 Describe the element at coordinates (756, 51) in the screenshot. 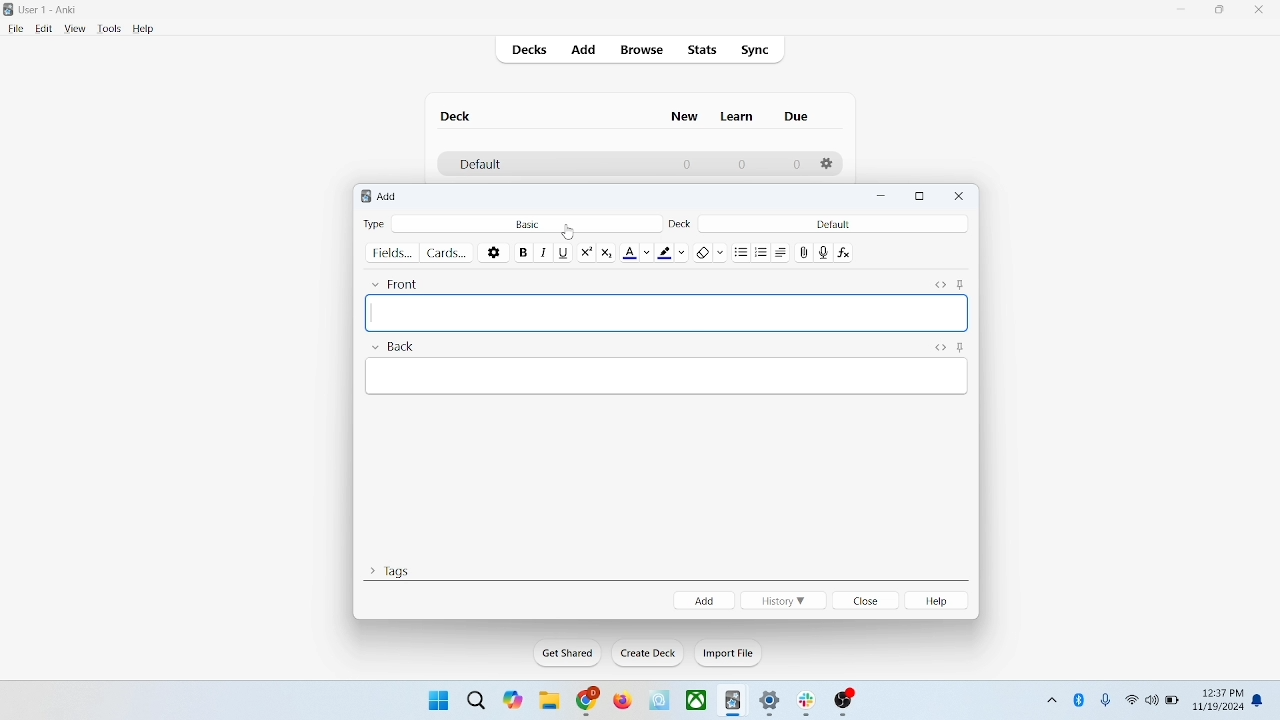

I see `sync` at that location.